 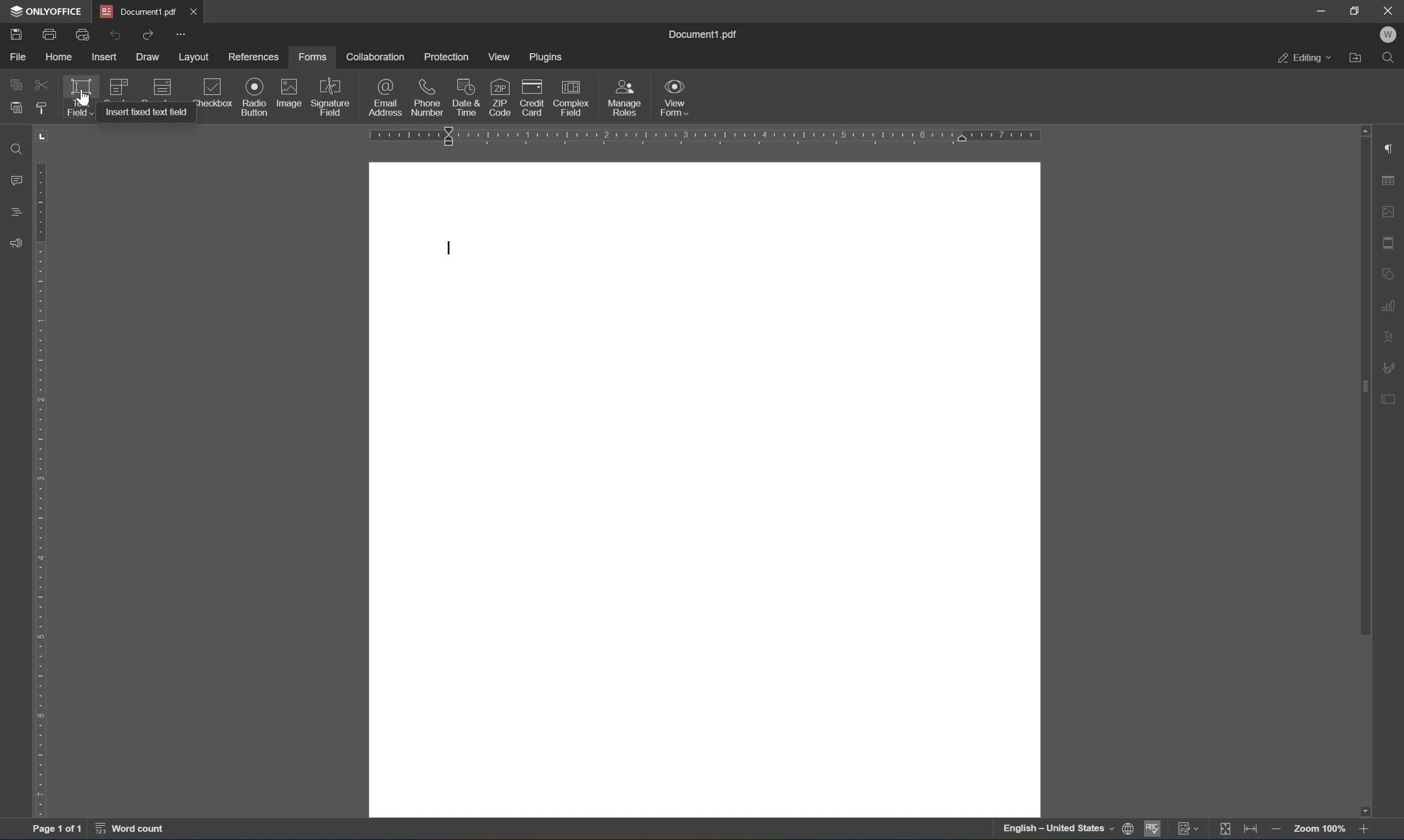 What do you see at coordinates (1392, 149) in the screenshot?
I see `paragraph settings` at bounding box center [1392, 149].